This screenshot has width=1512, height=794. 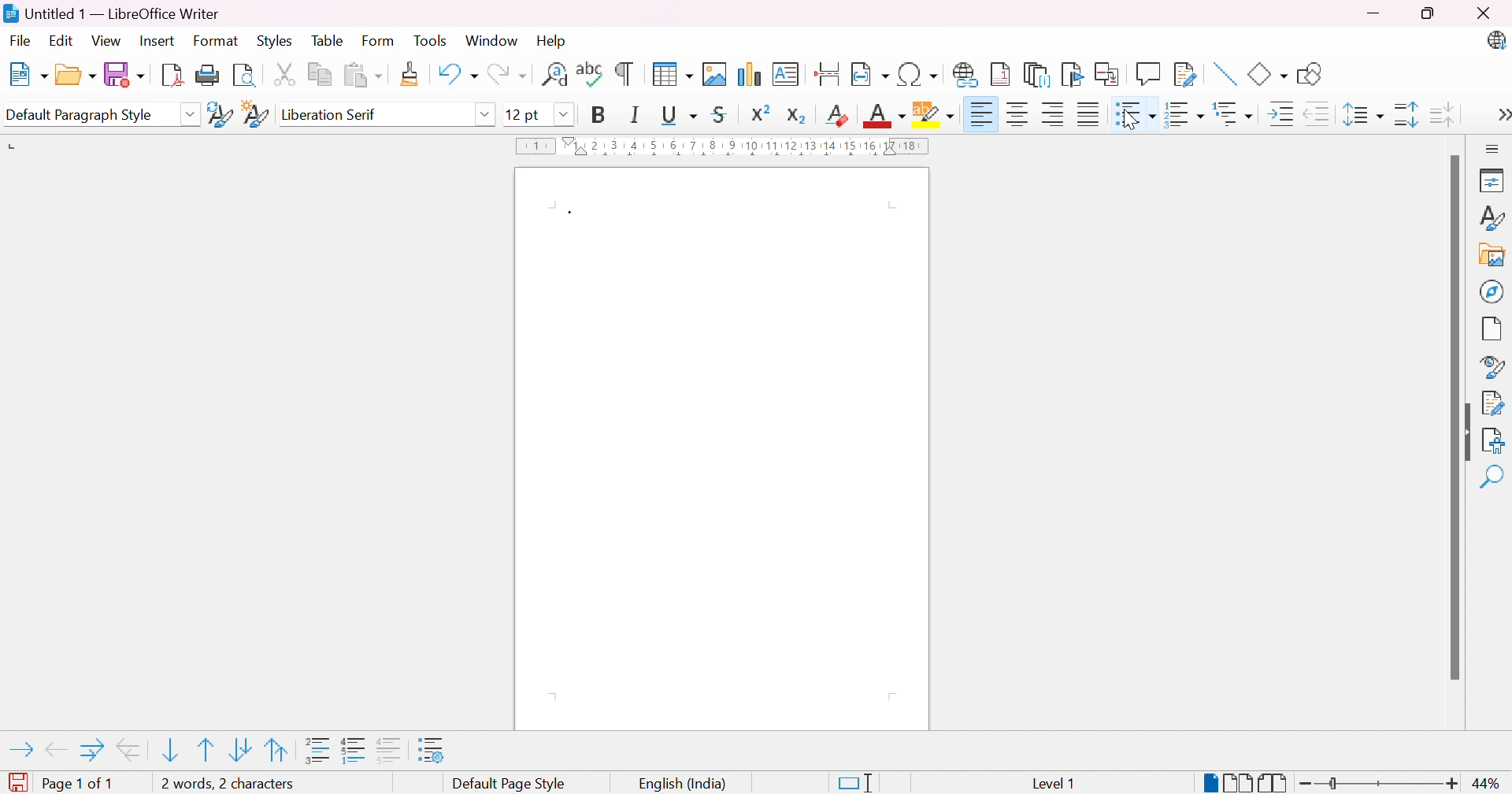 I want to click on Select outline format, so click(x=1236, y=114).